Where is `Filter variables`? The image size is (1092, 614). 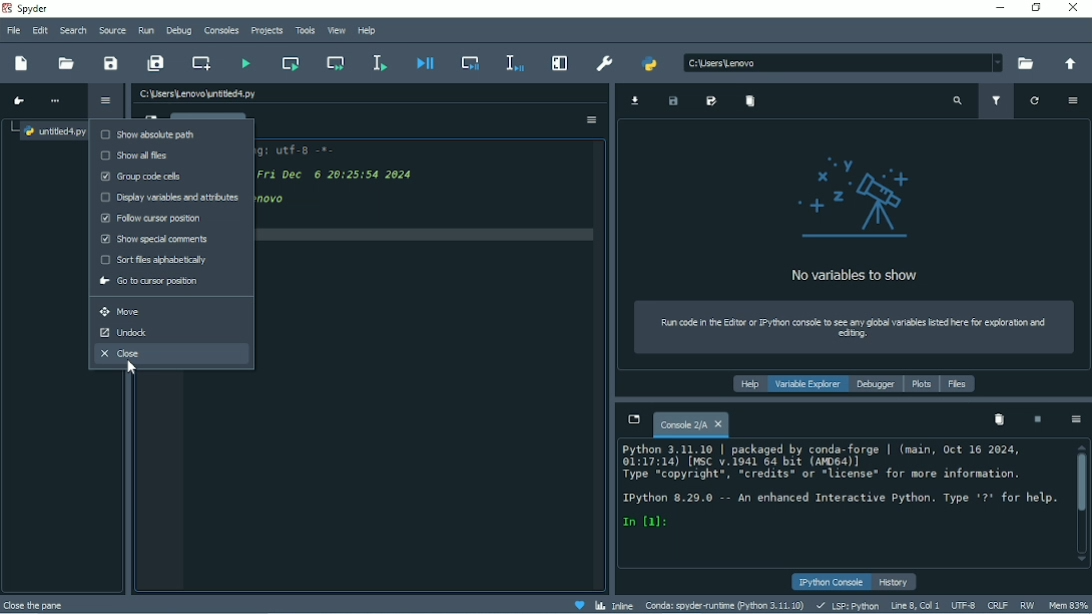 Filter variables is located at coordinates (996, 103).